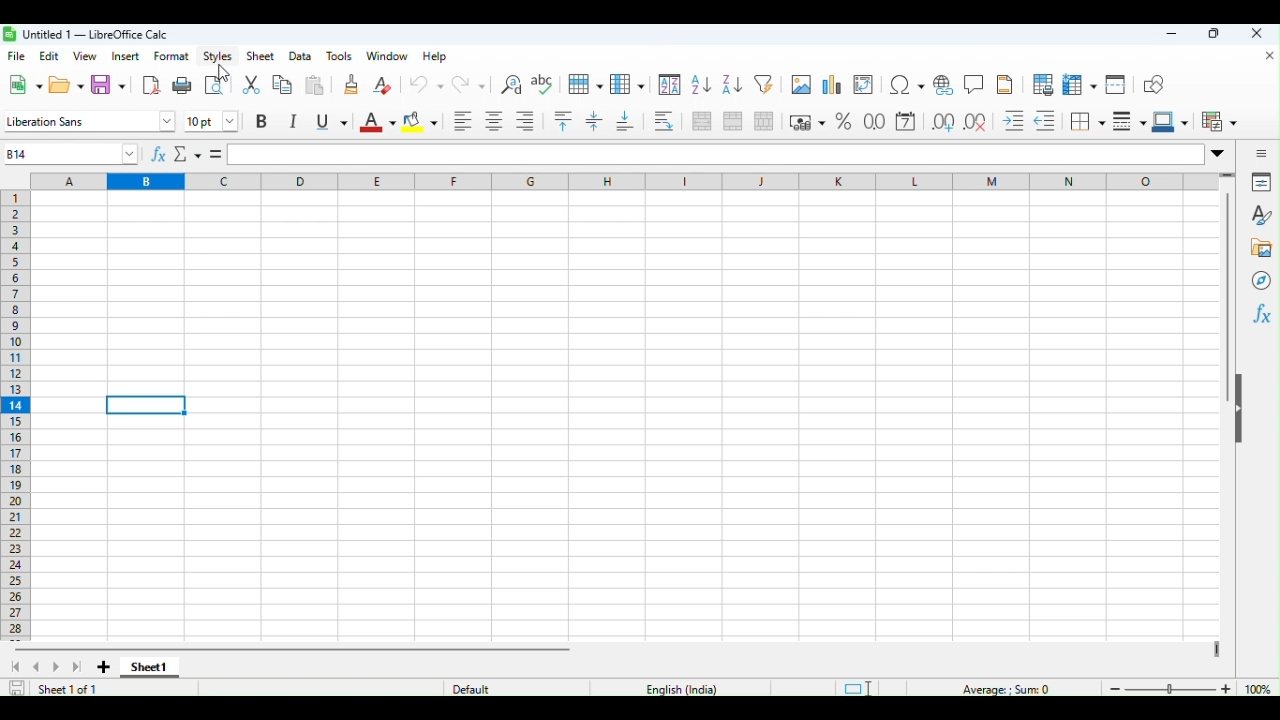 The height and width of the screenshot is (720, 1280). What do you see at coordinates (1075, 86) in the screenshot?
I see `Freeze rows and colum ` at bounding box center [1075, 86].